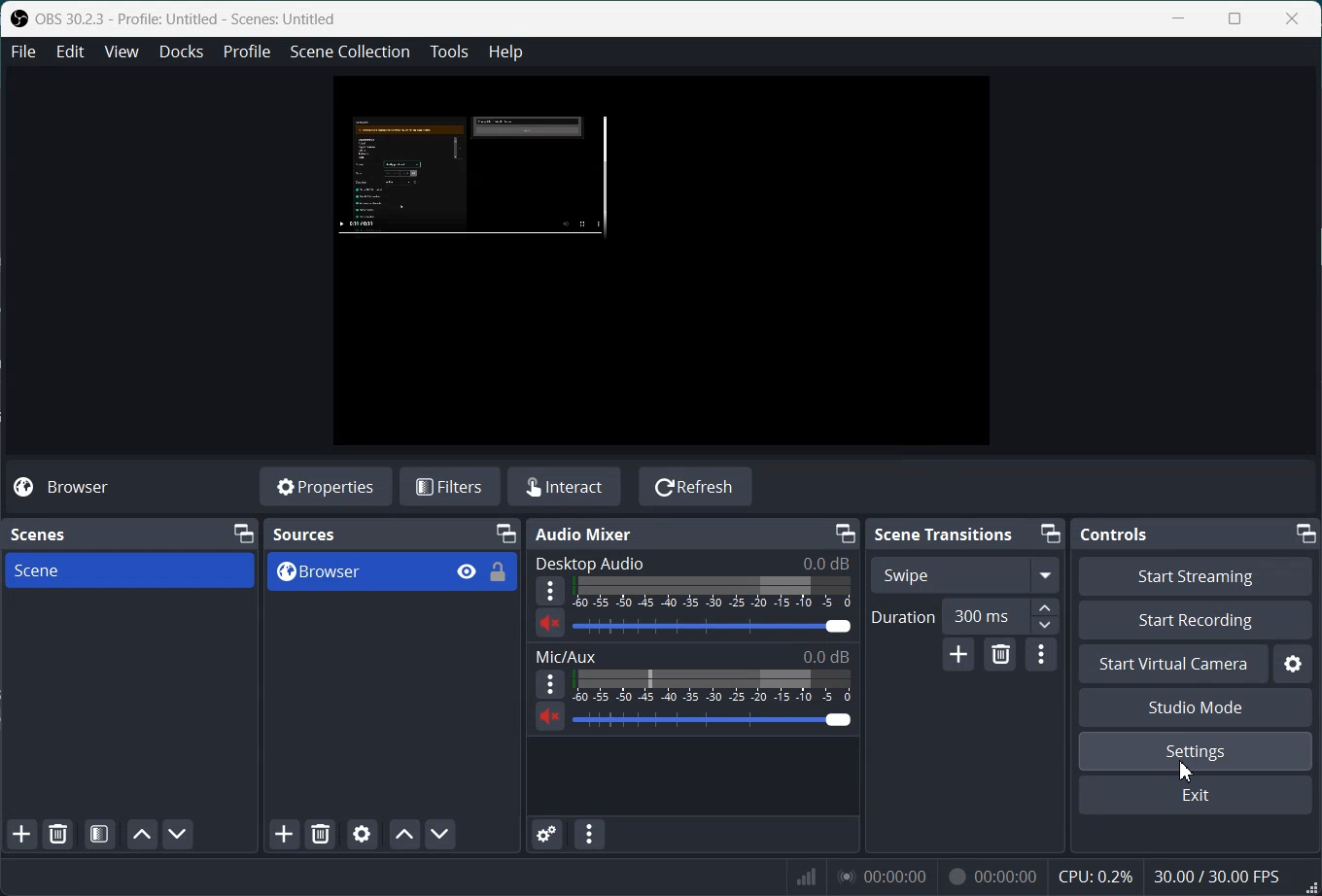 This screenshot has height=896, width=1322. I want to click on Swipe, so click(963, 573).